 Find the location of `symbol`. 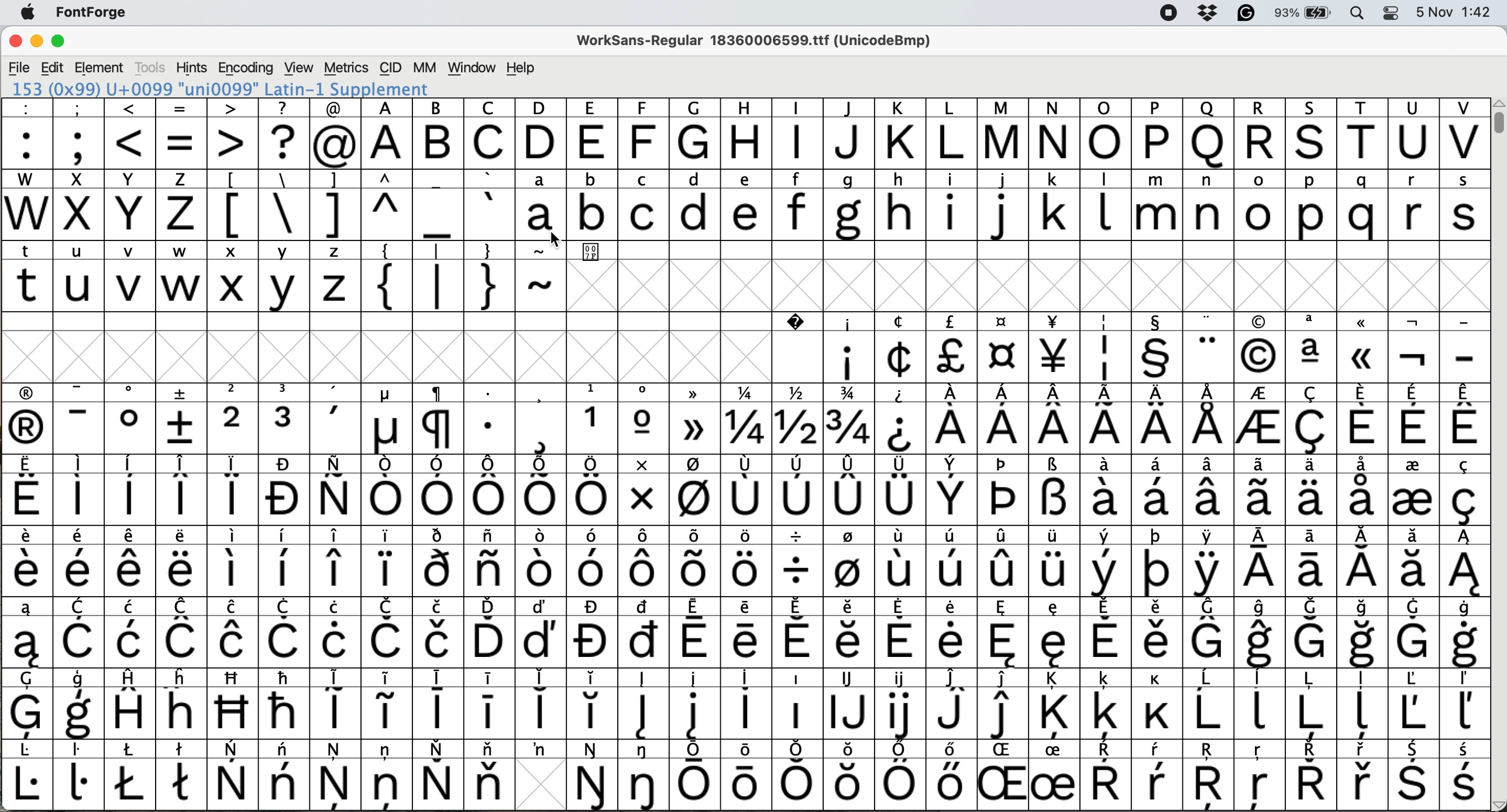

symbol is located at coordinates (80, 419).